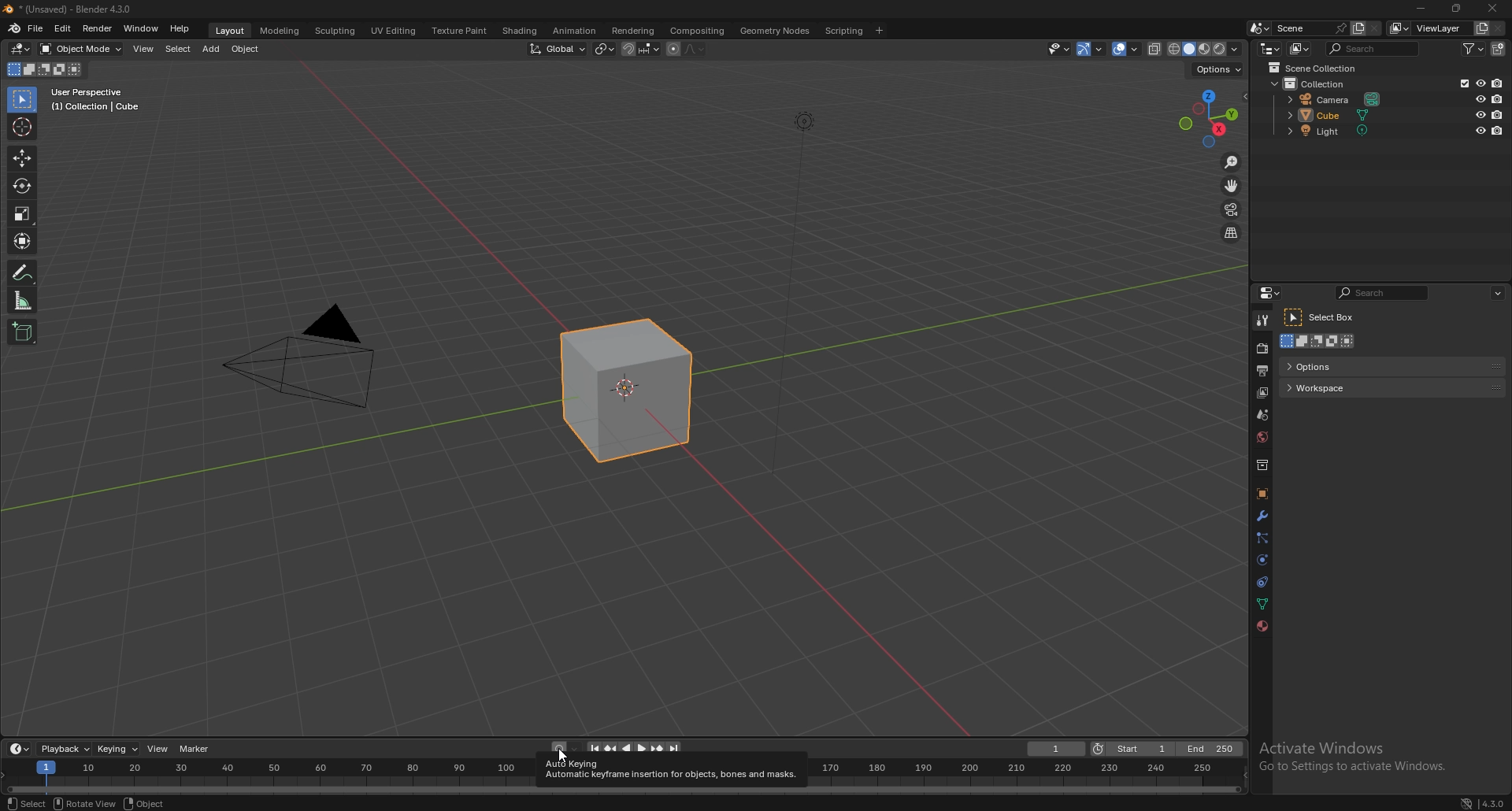 This screenshot has width=1512, height=811. Describe the element at coordinates (634, 749) in the screenshot. I see `play animation` at that location.